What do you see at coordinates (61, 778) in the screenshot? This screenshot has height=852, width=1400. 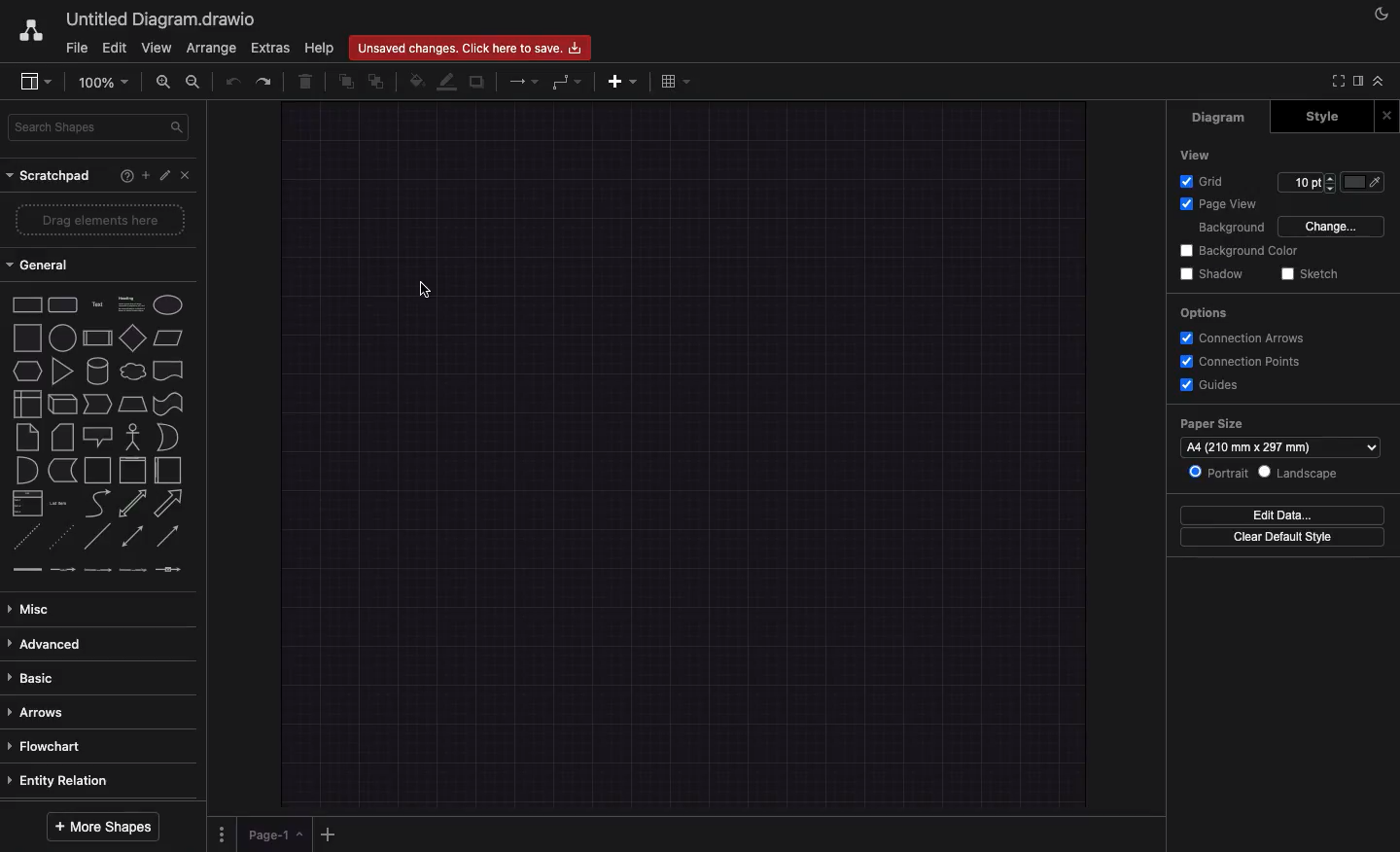 I see `Entity relation` at bounding box center [61, 778].